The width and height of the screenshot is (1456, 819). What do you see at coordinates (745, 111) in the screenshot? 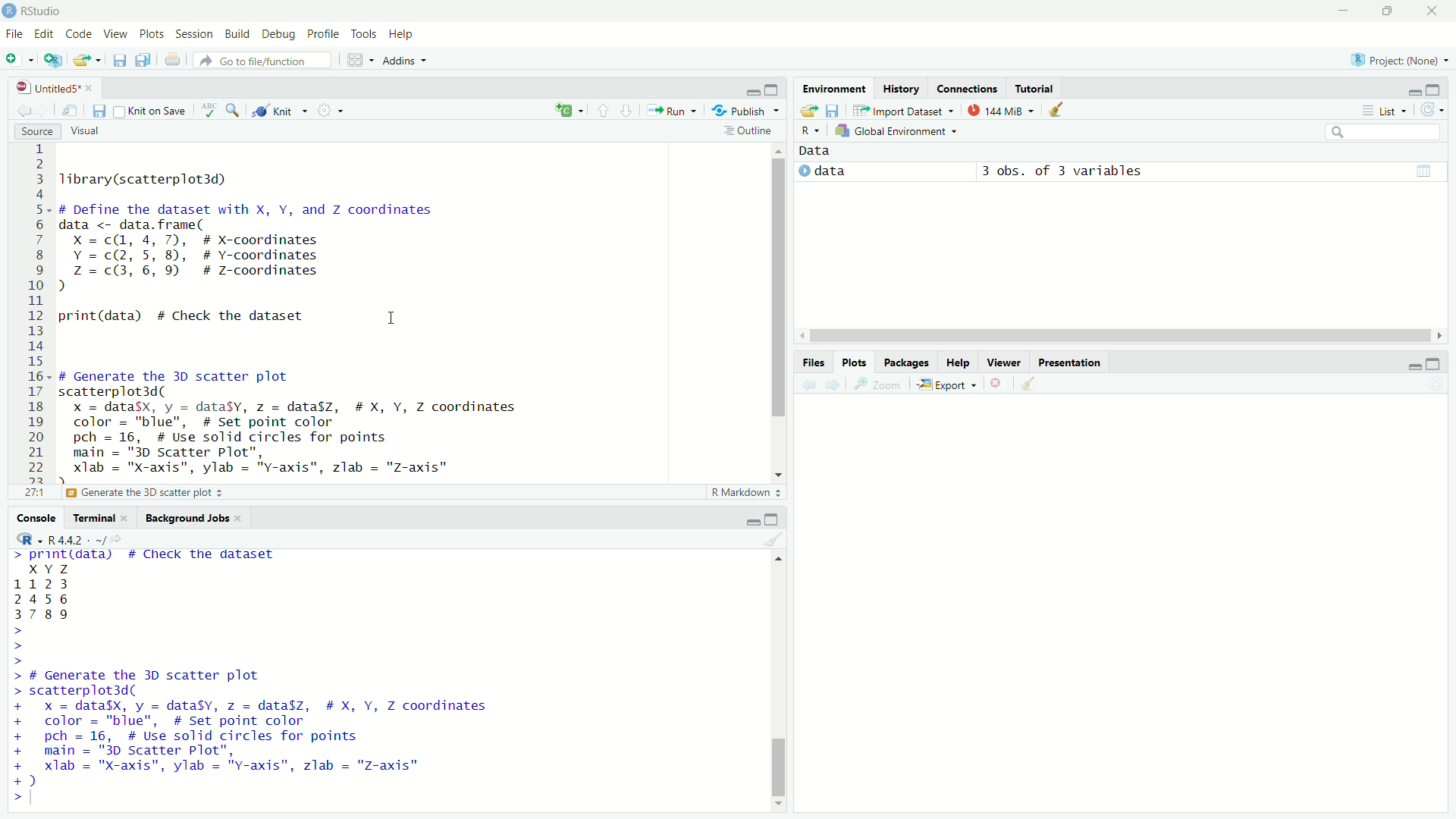
I see `Publish` at bounding box center [745, 111].